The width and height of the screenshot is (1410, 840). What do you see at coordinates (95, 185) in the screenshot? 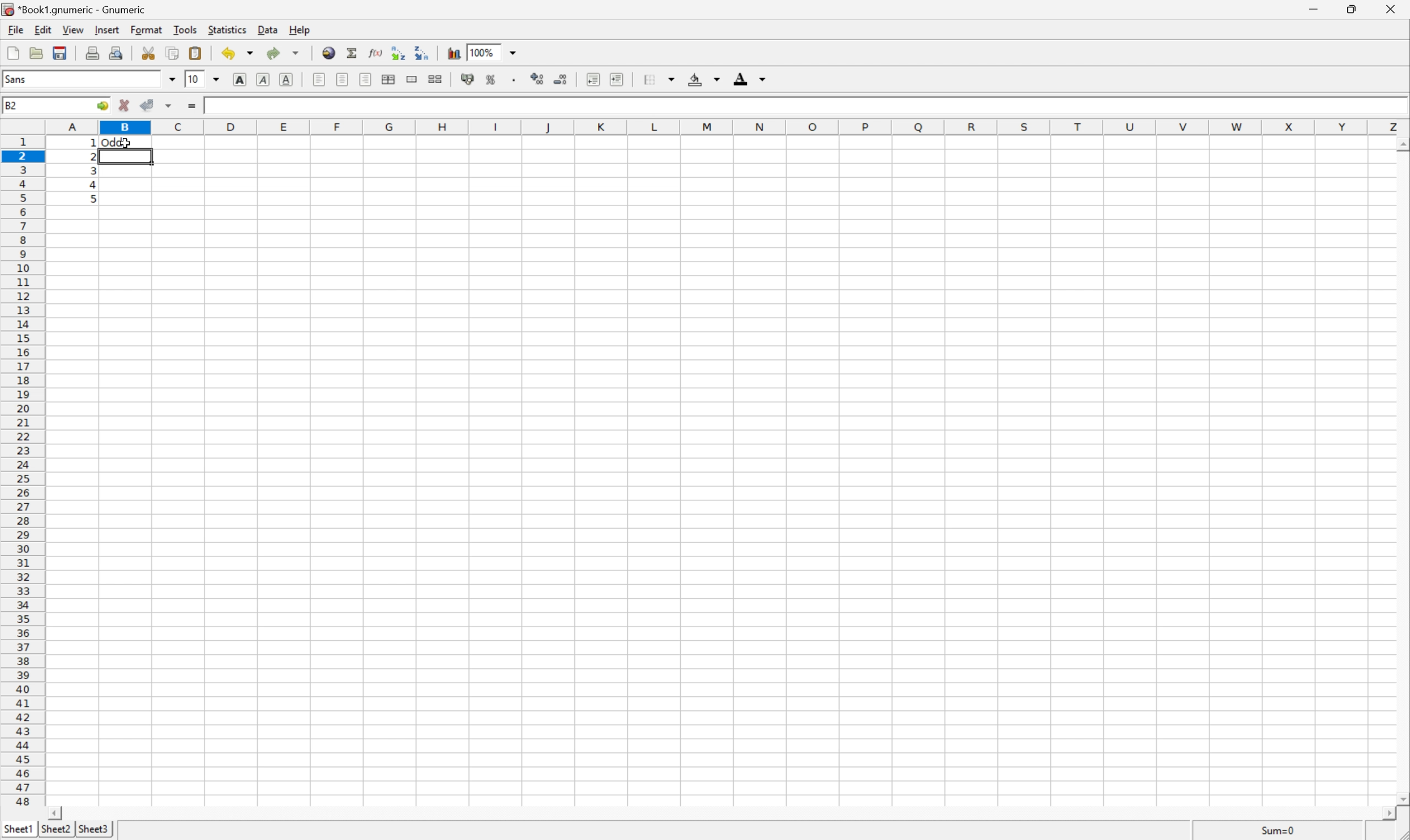
I see `4` at bounding box center [95, 185].